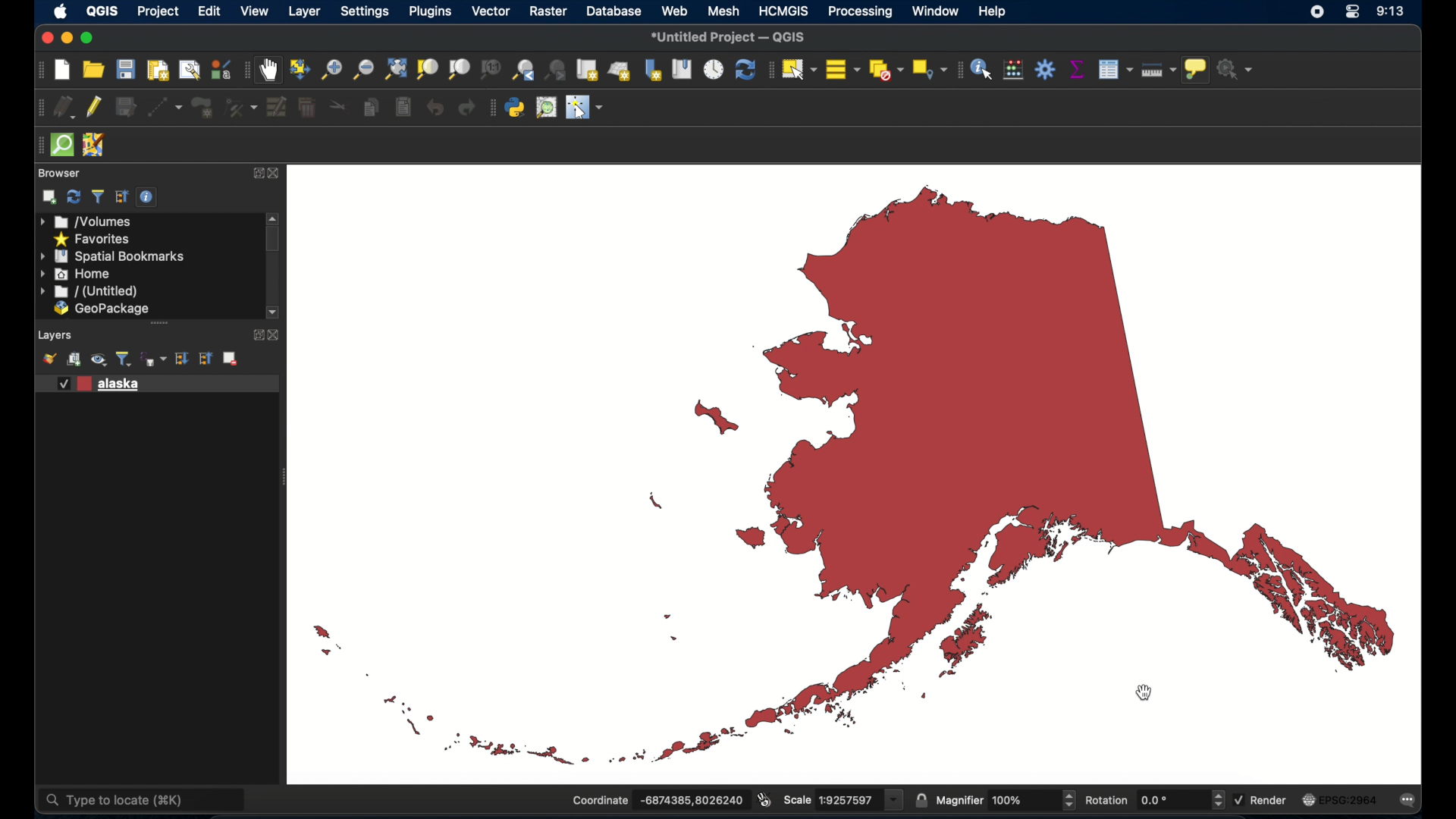 The height and width of the screenshot is (819, 1456). What do you see at coordinates (548, 108) in the screenshot?
I see `quick osm search` at bounding box center [548, 108].